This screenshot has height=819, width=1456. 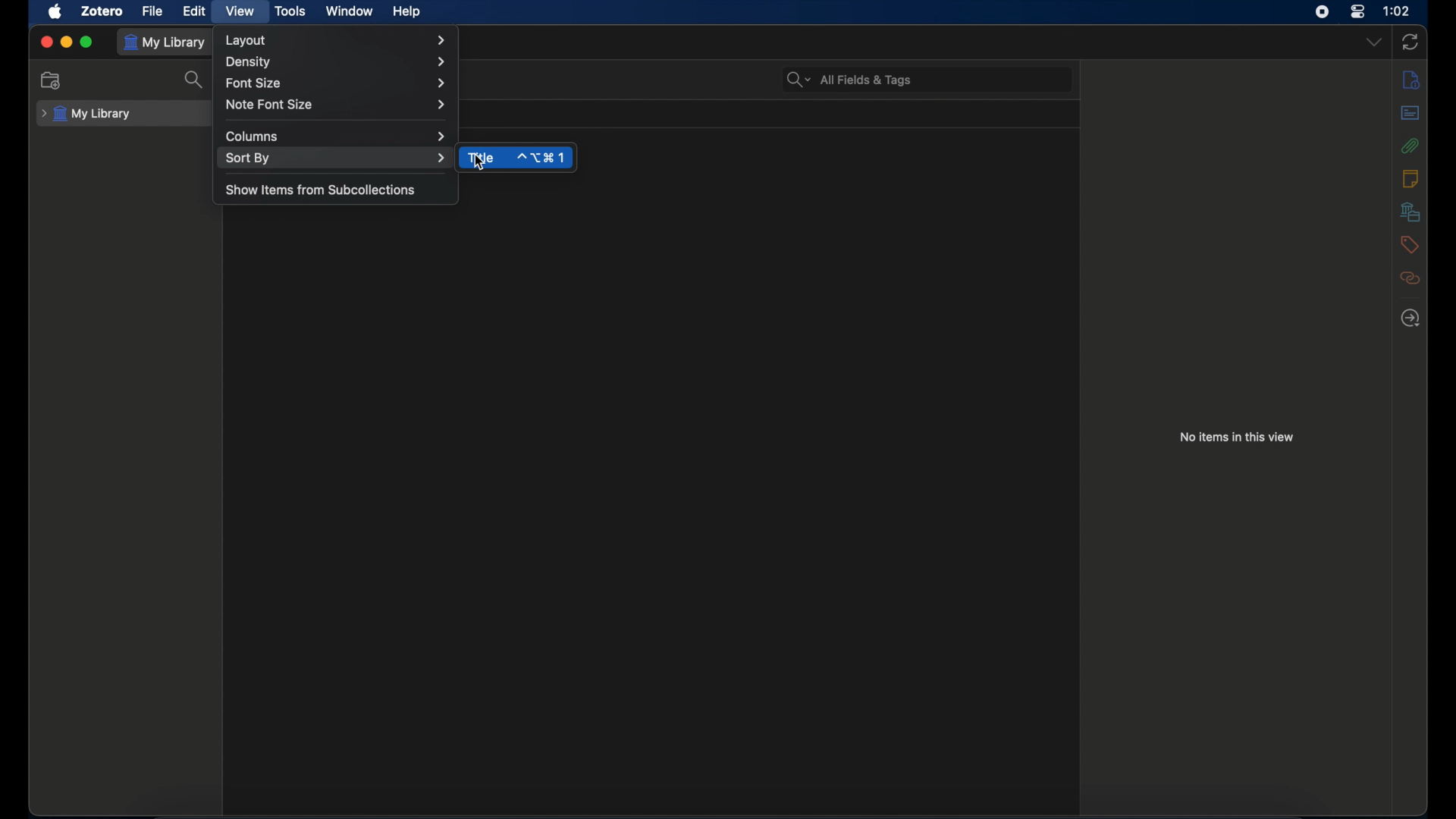 I want to click on window, so click(x=350, y=10).